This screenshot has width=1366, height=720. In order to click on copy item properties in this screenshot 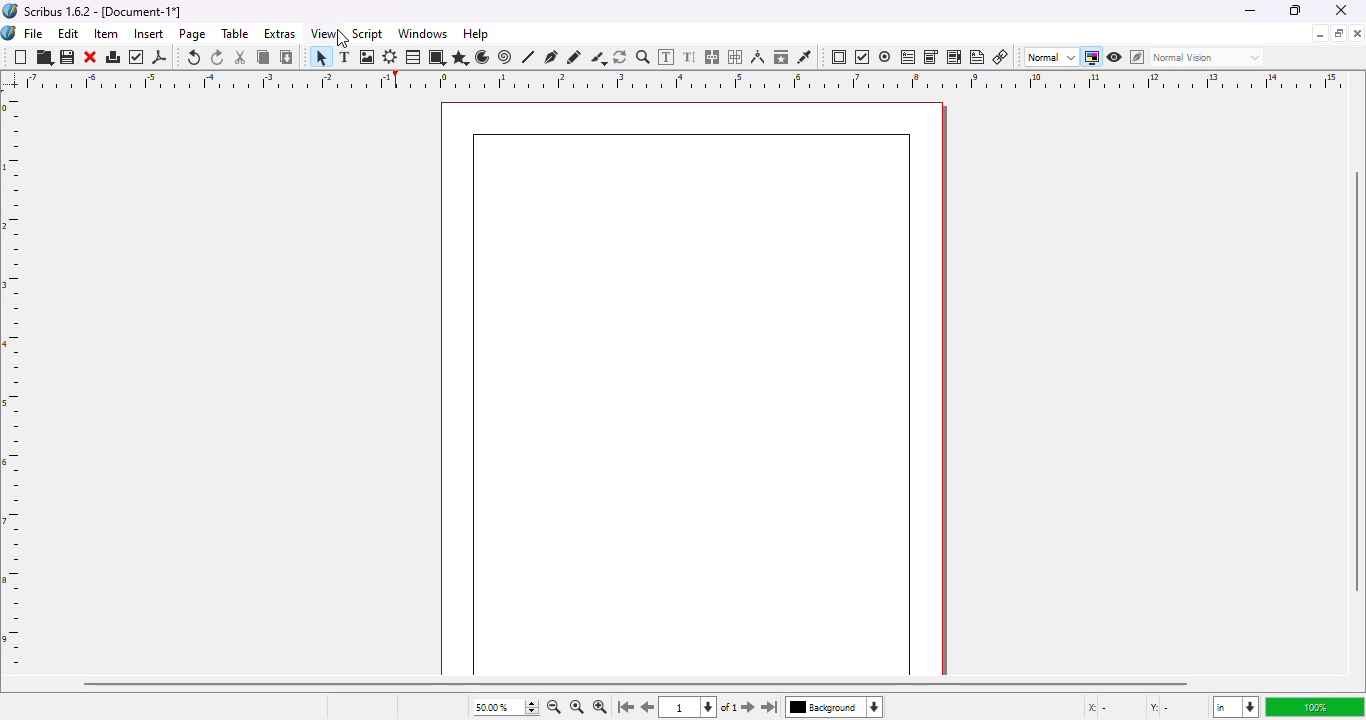, I will do `click(781, 56)`.